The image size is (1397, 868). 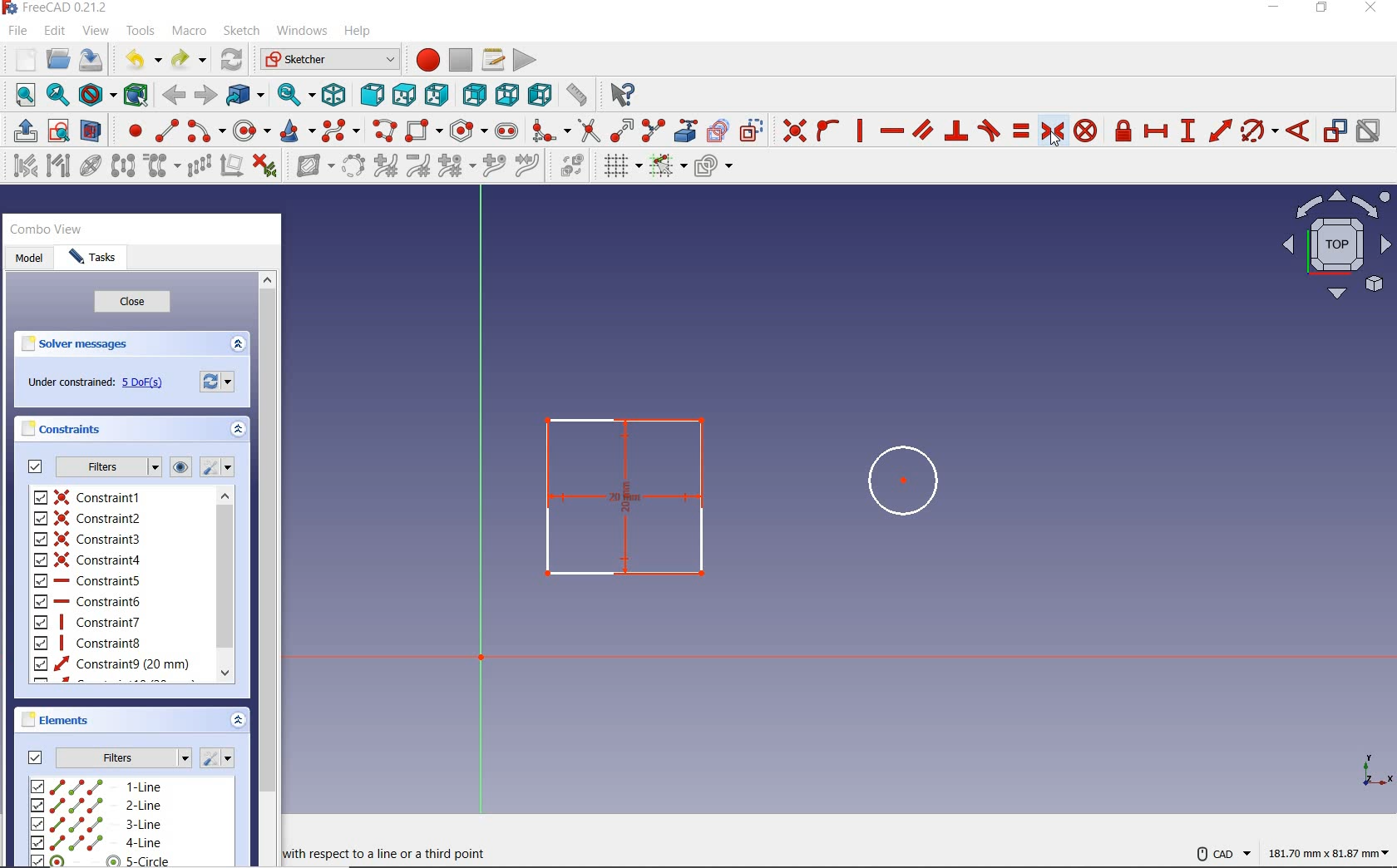 What do you see at coordinates (166, 130) in the screenshot?
I see `create line` at bounding box center [166, 130].